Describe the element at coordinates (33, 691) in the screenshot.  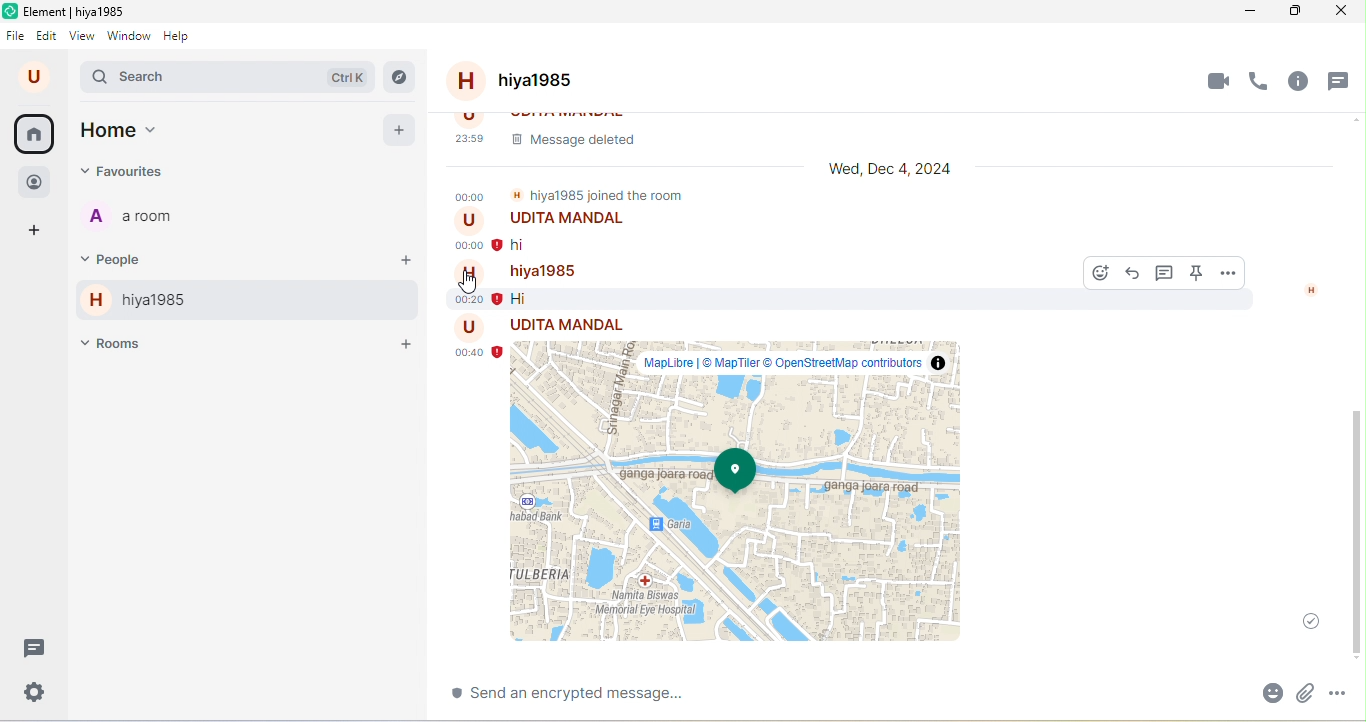
I see `quick settings` at that location.